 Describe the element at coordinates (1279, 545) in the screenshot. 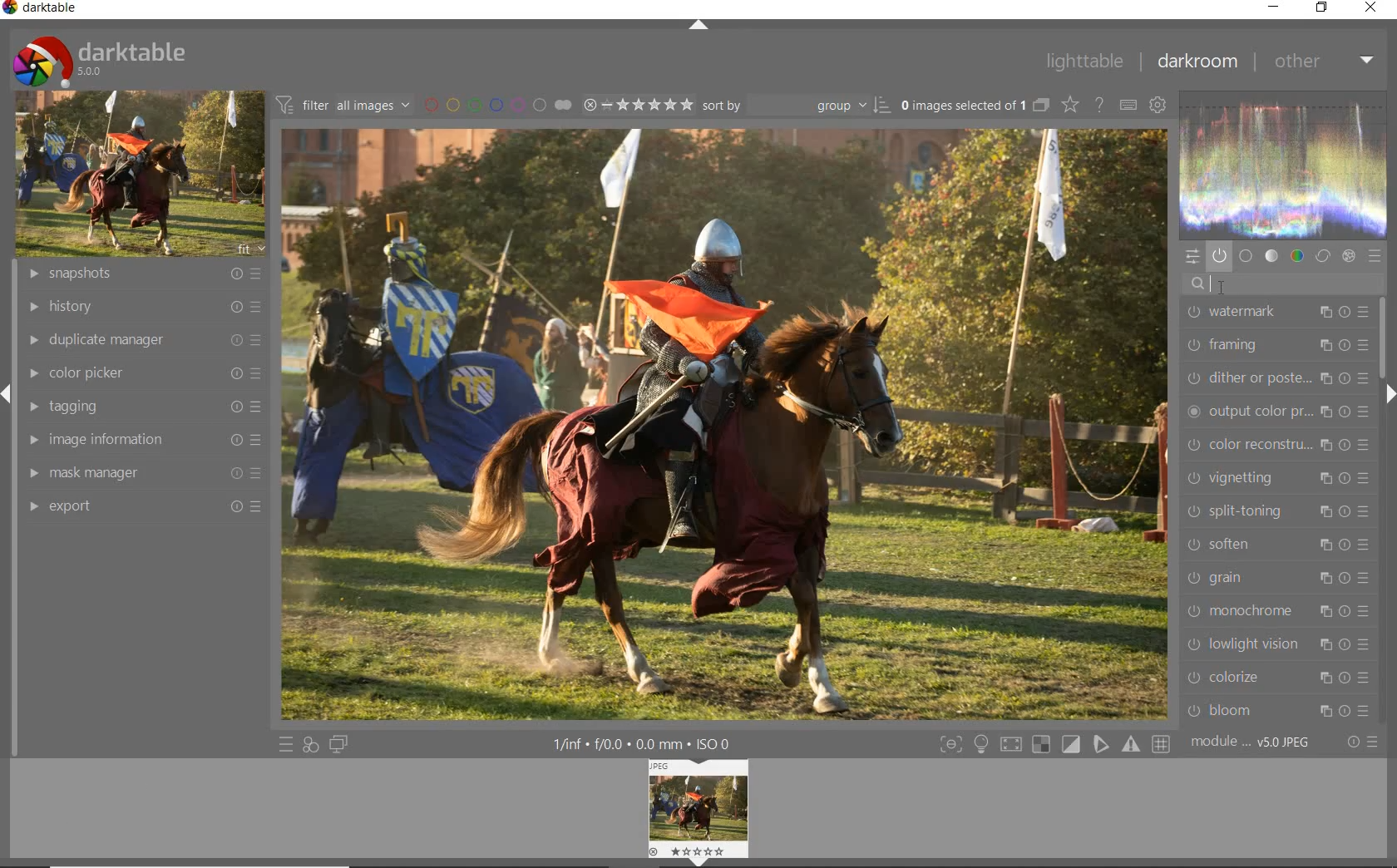

I see `soften` at that location.